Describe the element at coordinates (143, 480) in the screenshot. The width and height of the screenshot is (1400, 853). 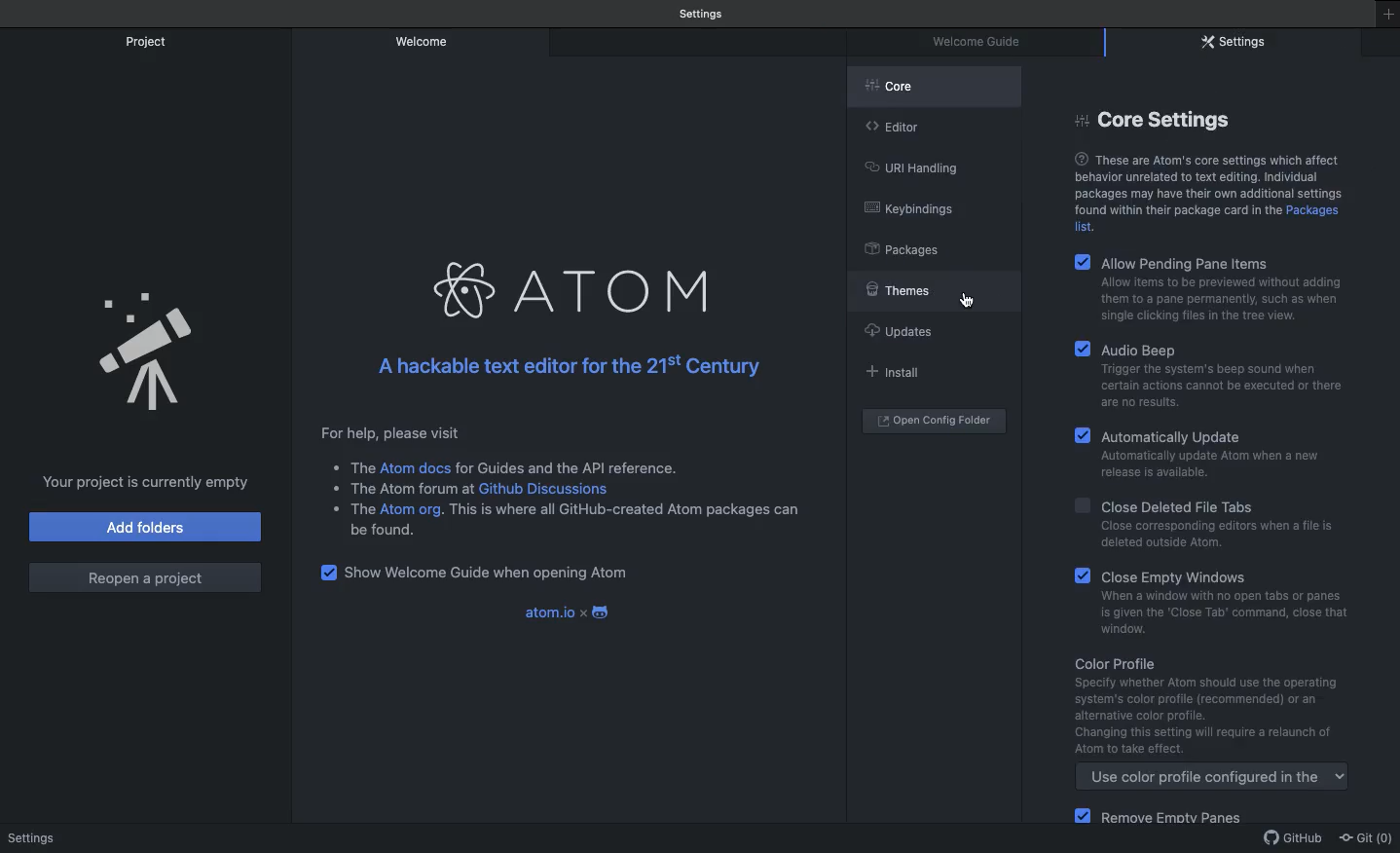
I see `Your project is currently empty` at that location.